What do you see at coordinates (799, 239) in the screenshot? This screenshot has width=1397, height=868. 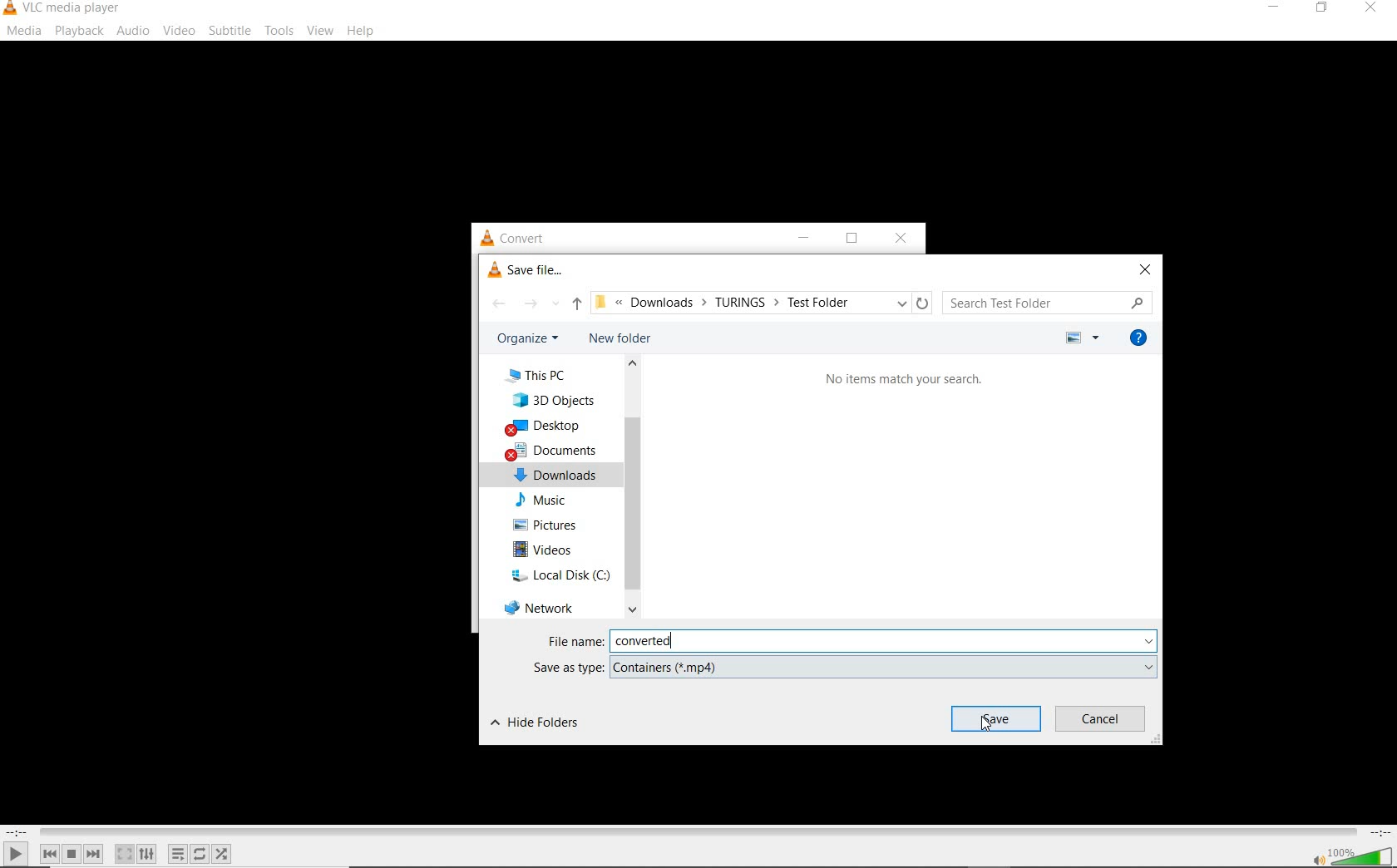 I see `minimize` at bounding box center [799, 239].